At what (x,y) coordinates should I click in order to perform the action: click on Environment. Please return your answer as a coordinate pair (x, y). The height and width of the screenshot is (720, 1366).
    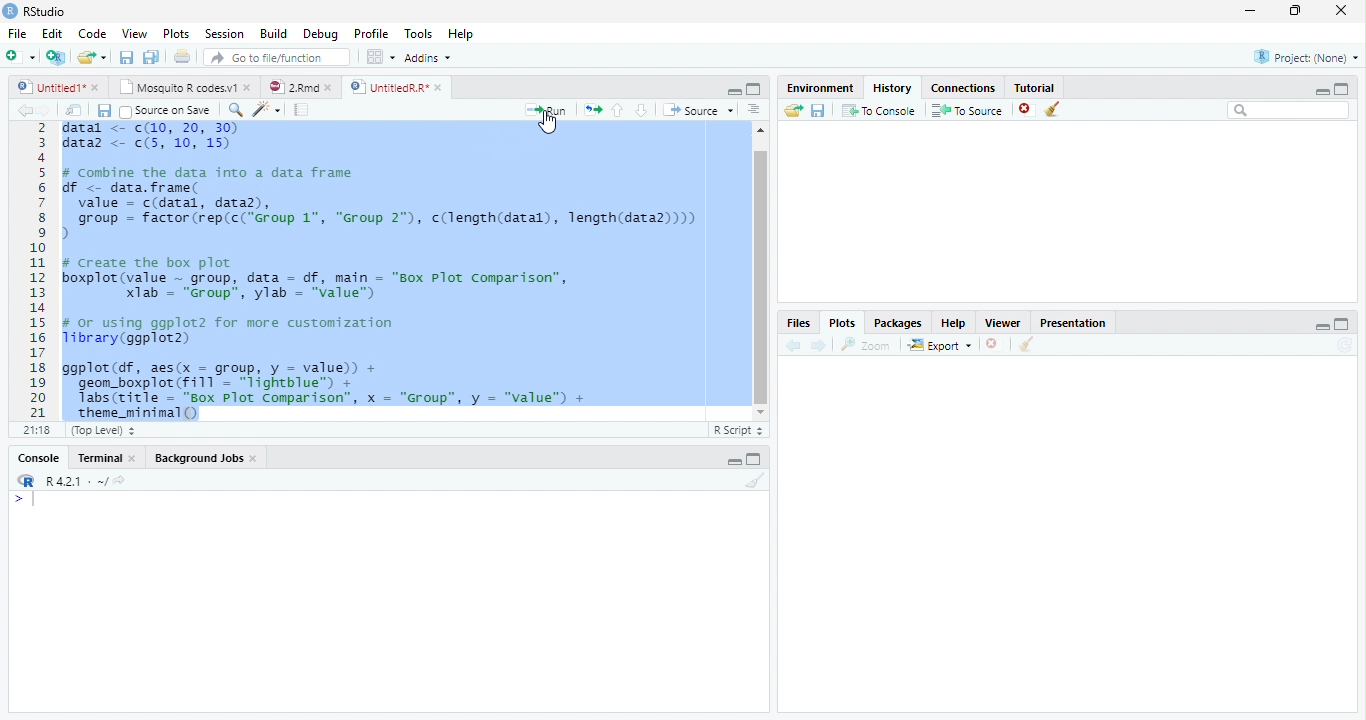
    Looking at the image, I should click on (821, 88).